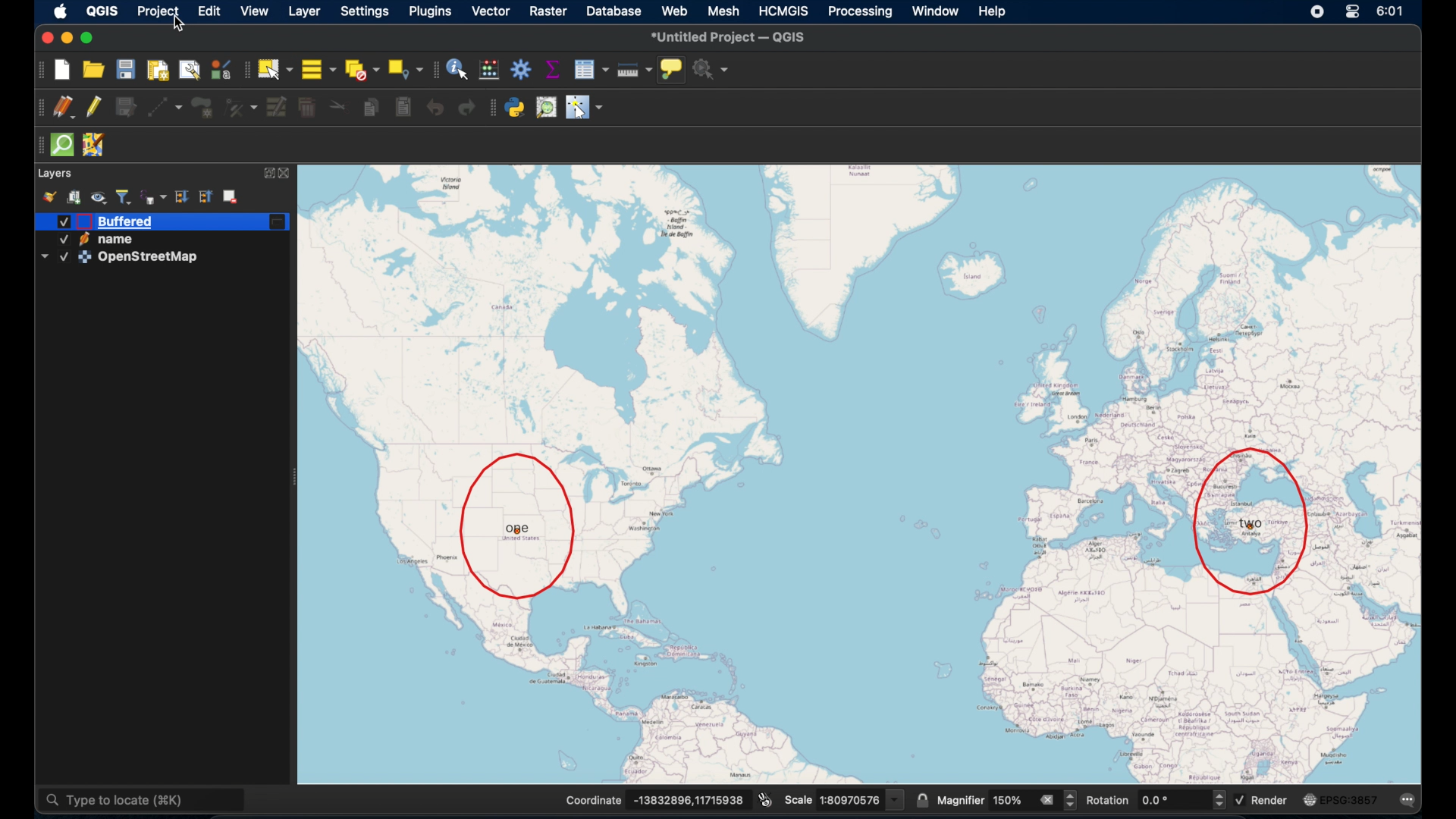  What do you see at coordinates (43, 257) in the screenshot?
I see `dropdown` at bounding box center [43, 257].